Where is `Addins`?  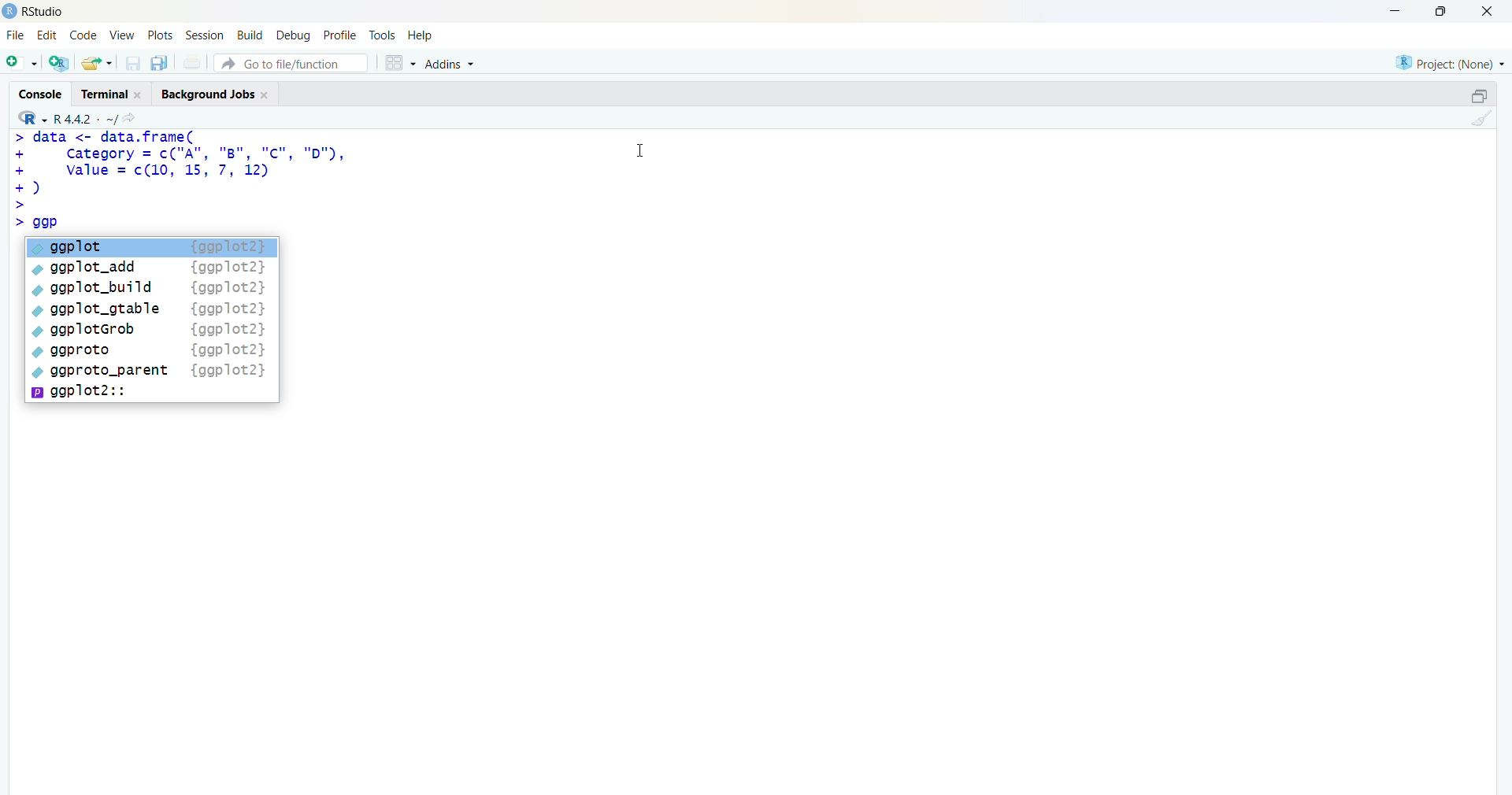 Addins is located at coordinates (453, 65).